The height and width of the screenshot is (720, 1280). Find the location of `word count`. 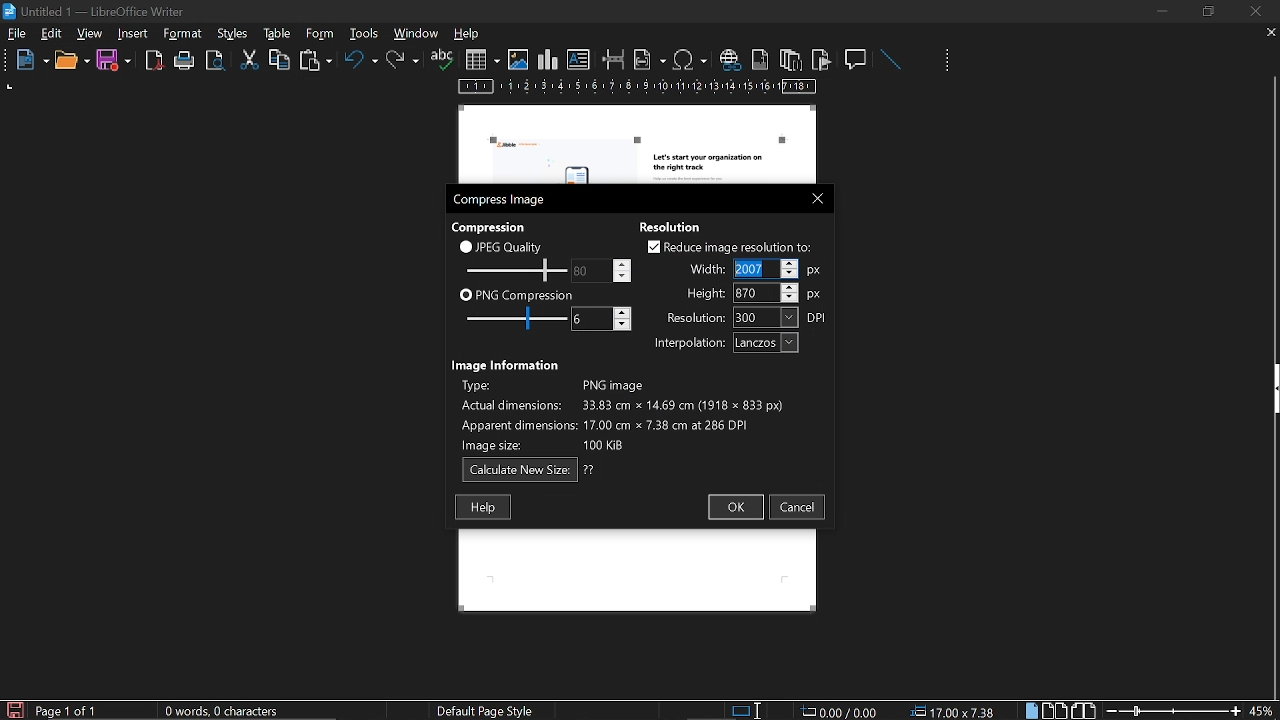

word count is located at coordinates (229, 711).